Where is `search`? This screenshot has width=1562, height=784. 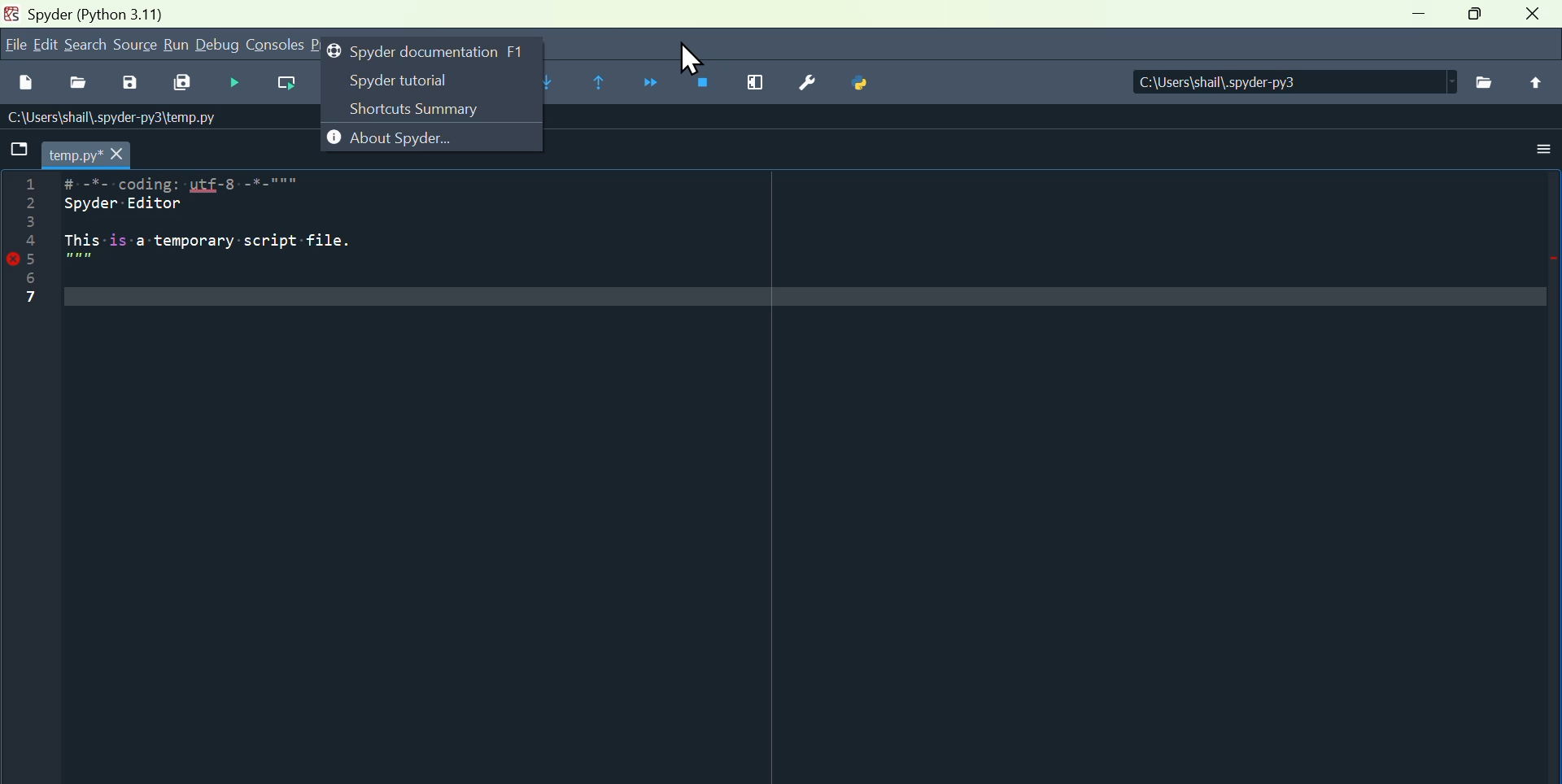 search is located at coordinates (87, 44).